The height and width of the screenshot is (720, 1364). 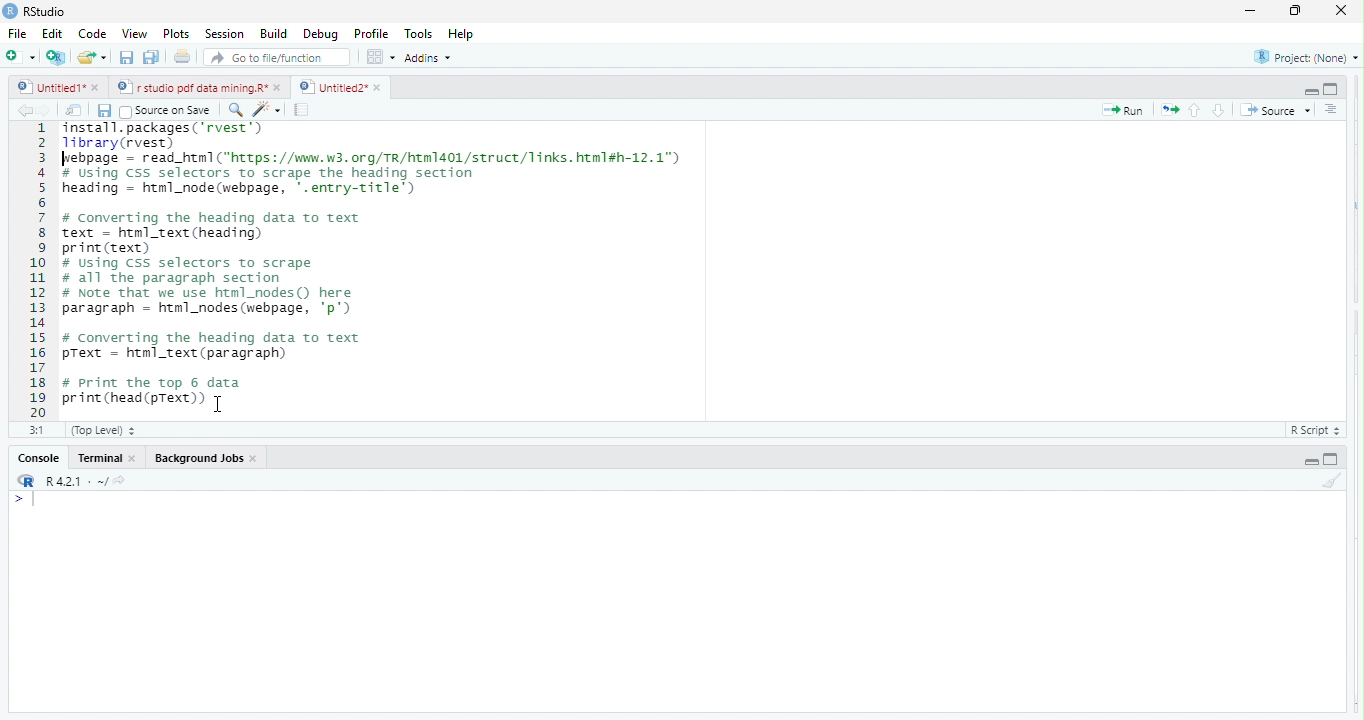 I want to click on save all open document, so click(x=150, y=57).